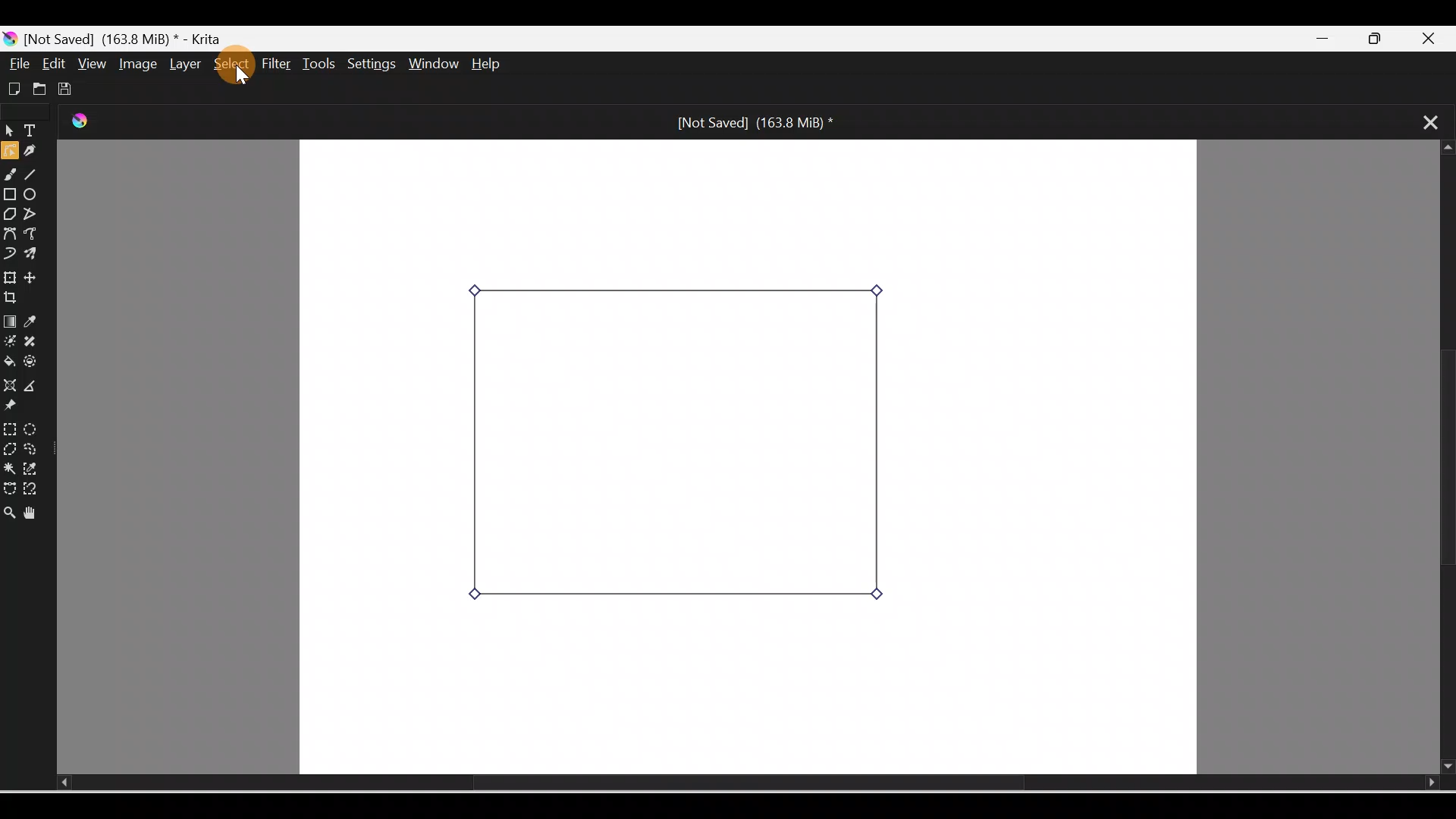 The image size is (1456, 819). I want to click on Maximize, so click(1384, 39).